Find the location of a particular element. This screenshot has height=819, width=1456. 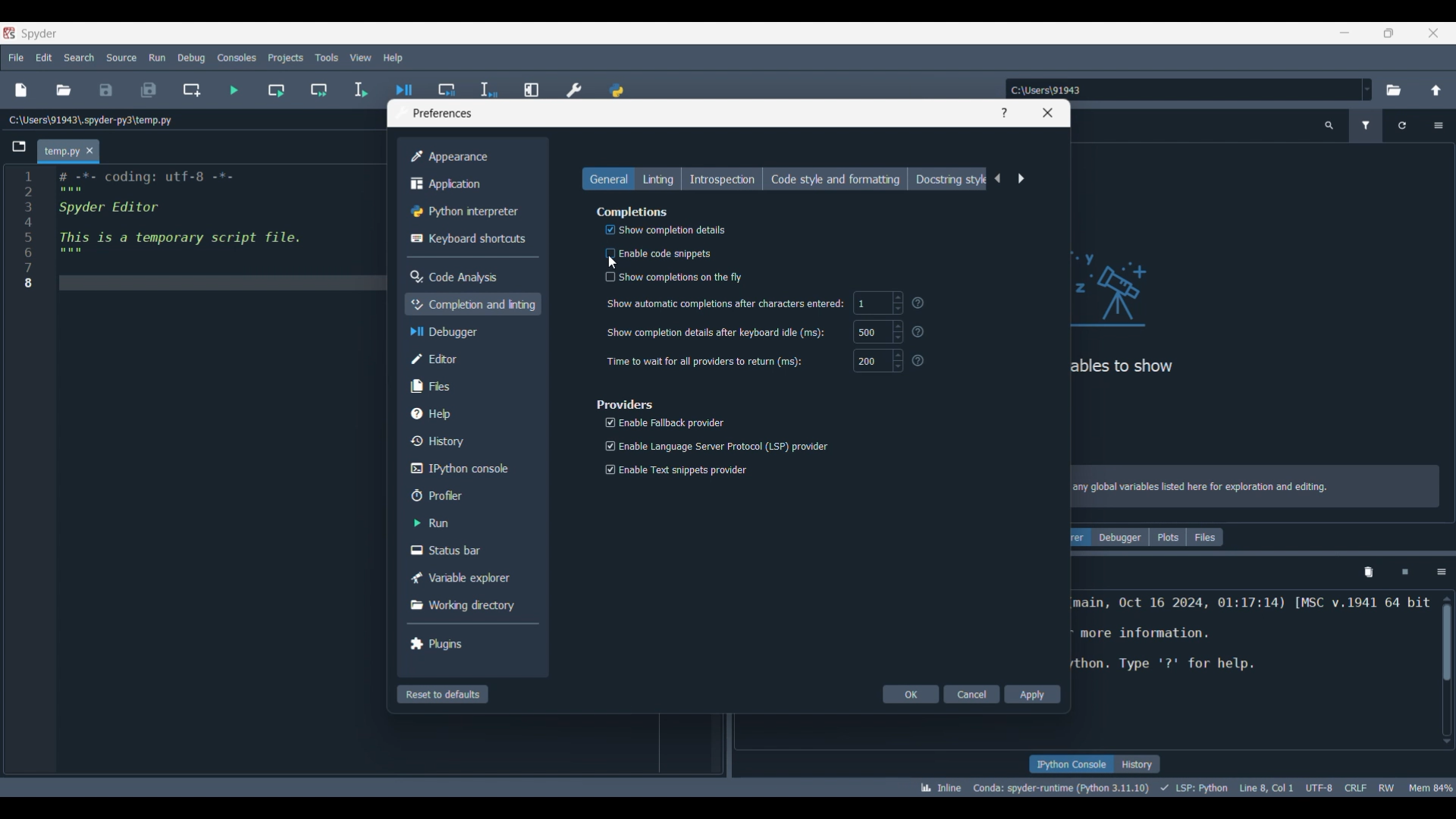

Run selection/current line is located at coordinates (360, 90).